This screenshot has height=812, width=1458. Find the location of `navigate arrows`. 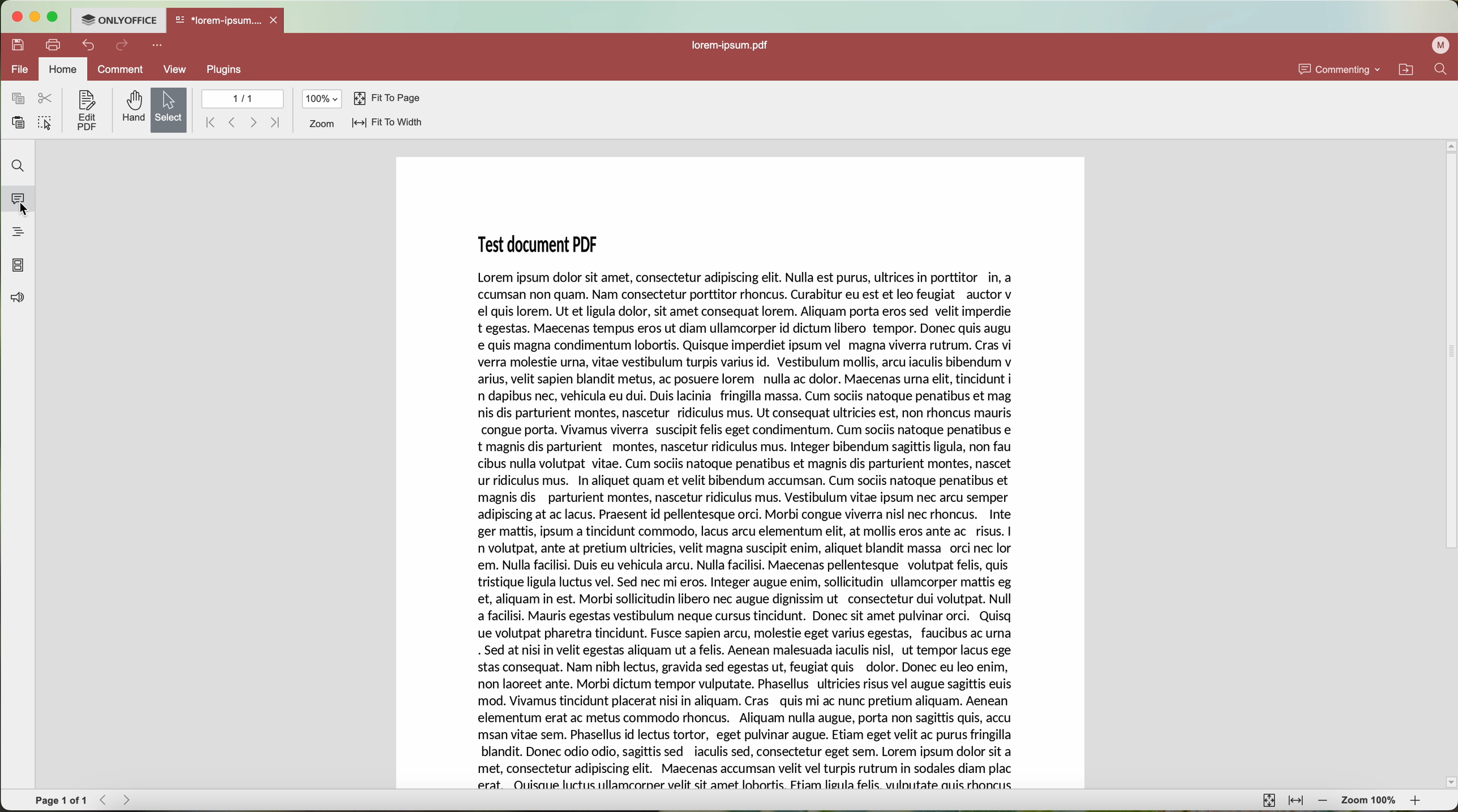

navigate arrows is located at coordinates (242, 122).